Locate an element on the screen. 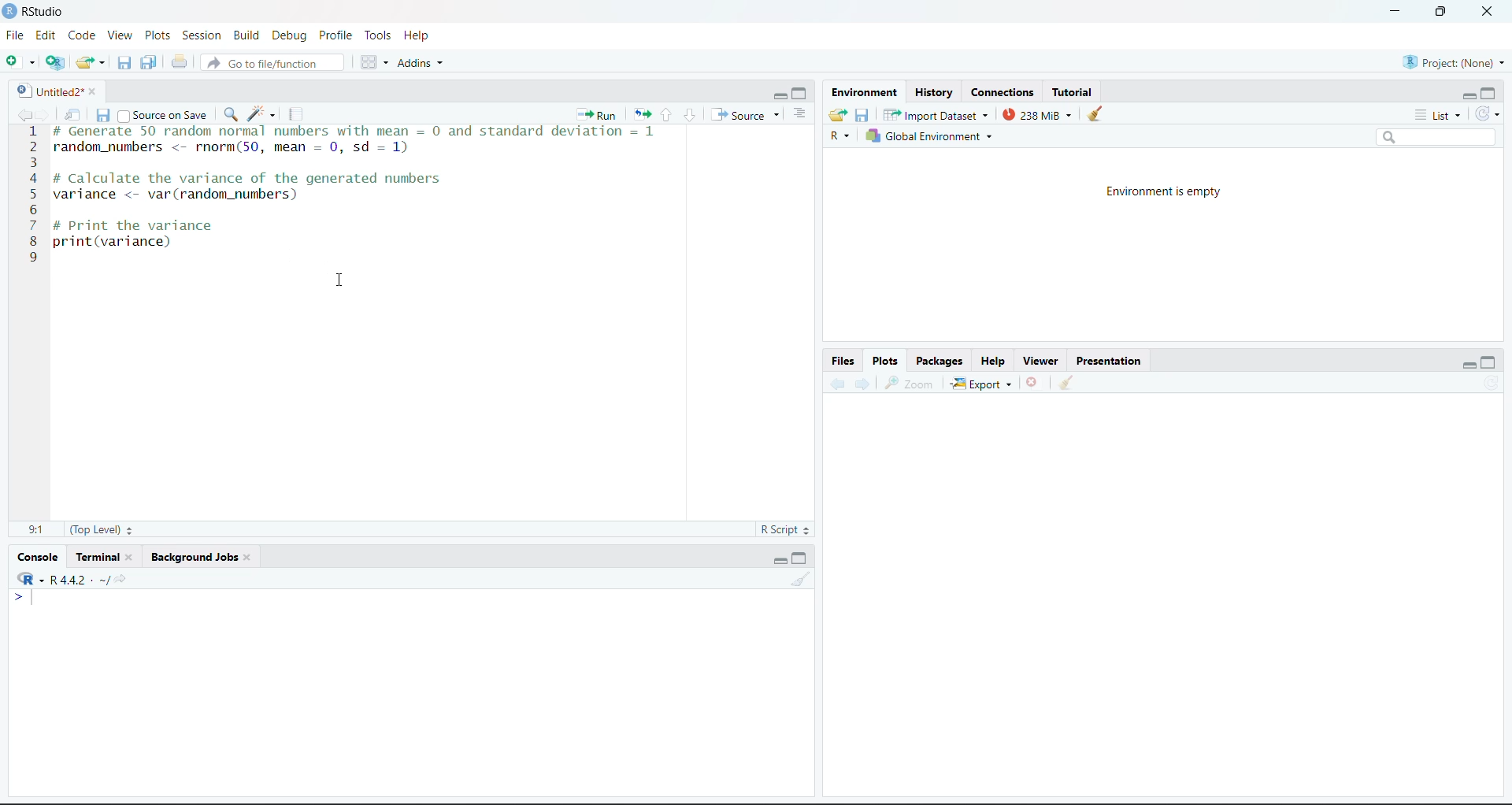 The image size is (1512, 805). import dataset is located at coordinates (934, 115).